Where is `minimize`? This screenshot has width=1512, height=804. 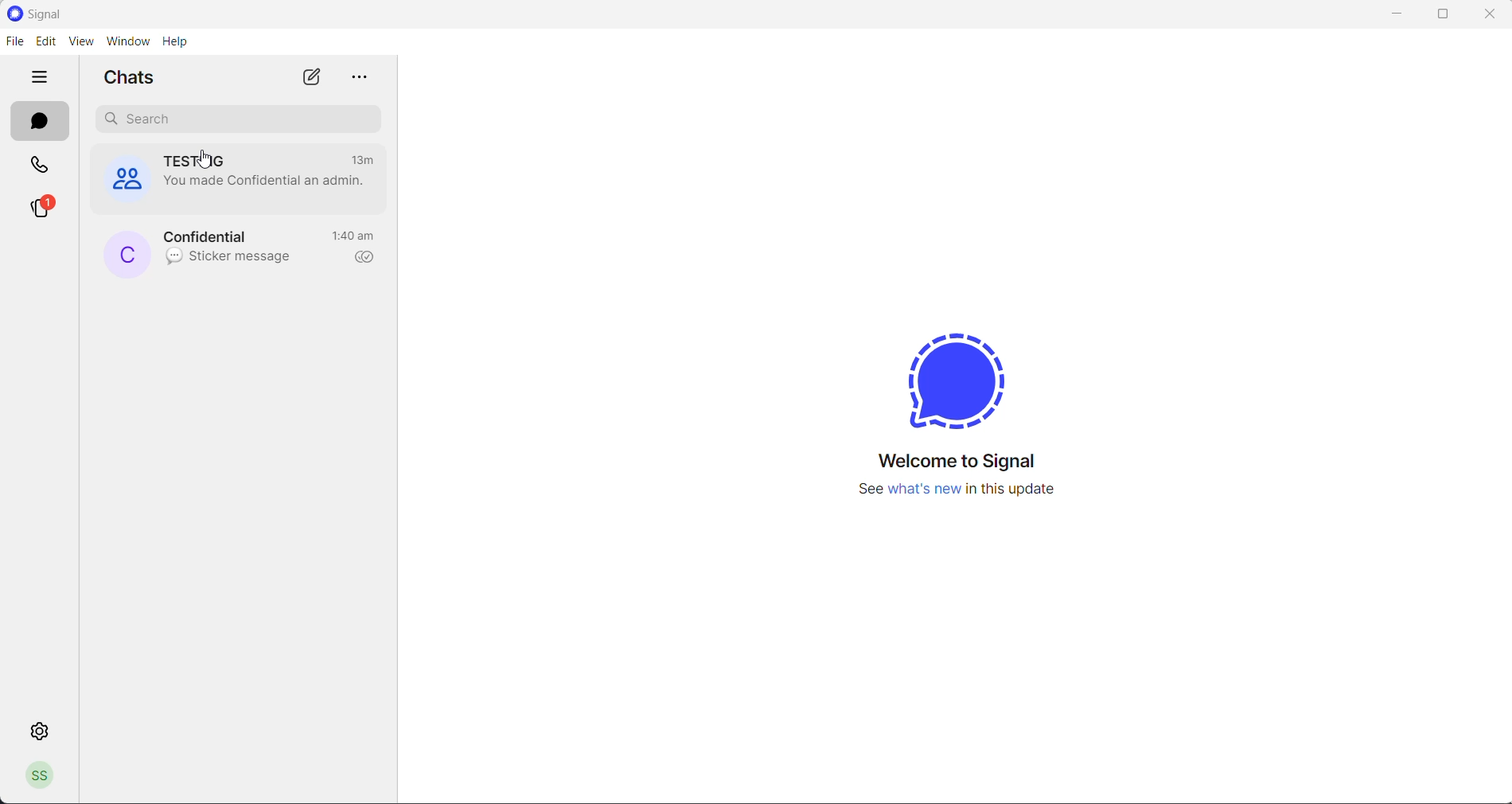
minimize is located at coordinates (1395, 16).